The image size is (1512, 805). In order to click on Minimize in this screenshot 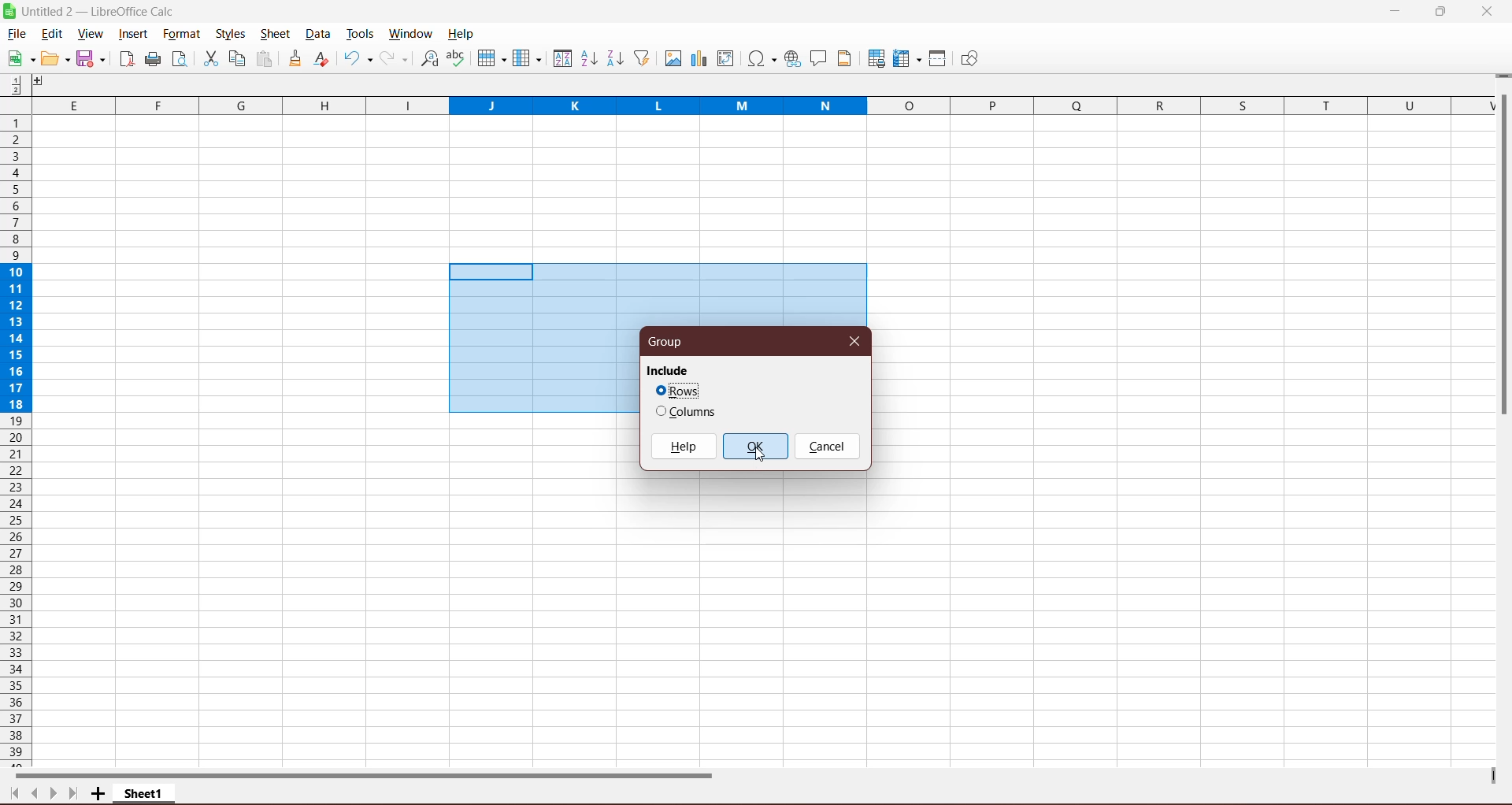, I will do `click(1397, 11)`.